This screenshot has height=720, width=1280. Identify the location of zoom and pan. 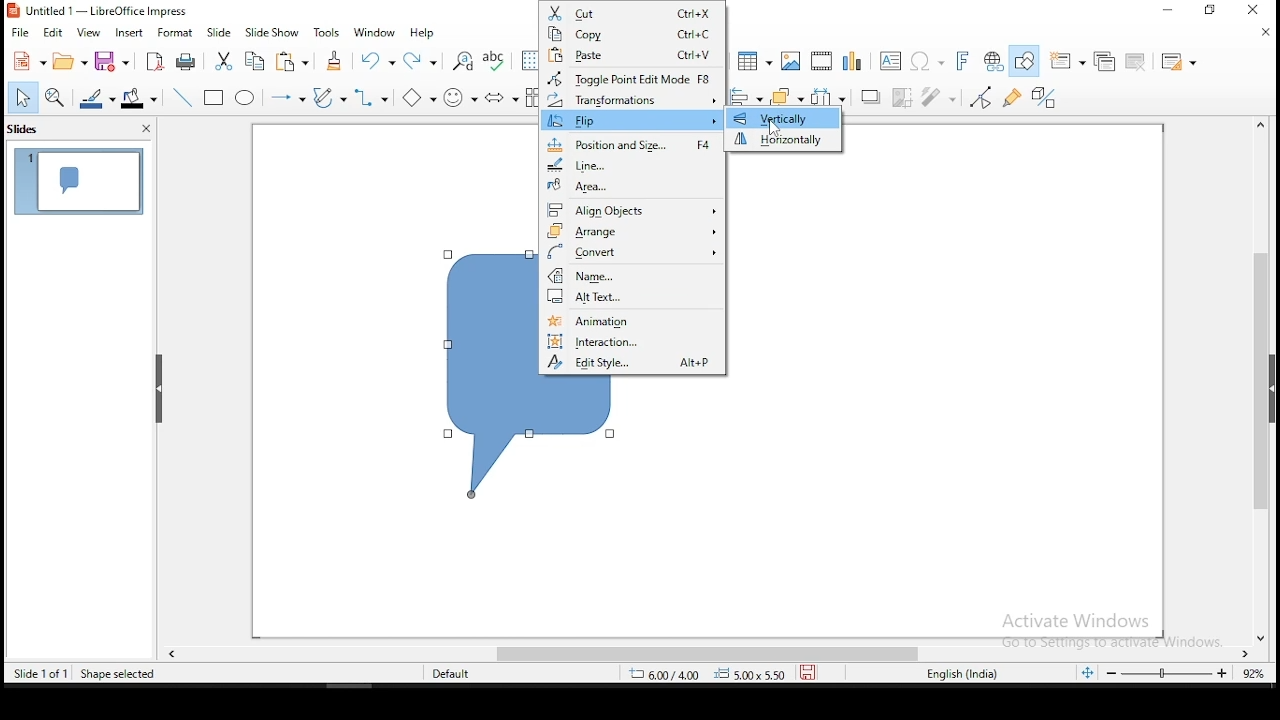
(56, 99).